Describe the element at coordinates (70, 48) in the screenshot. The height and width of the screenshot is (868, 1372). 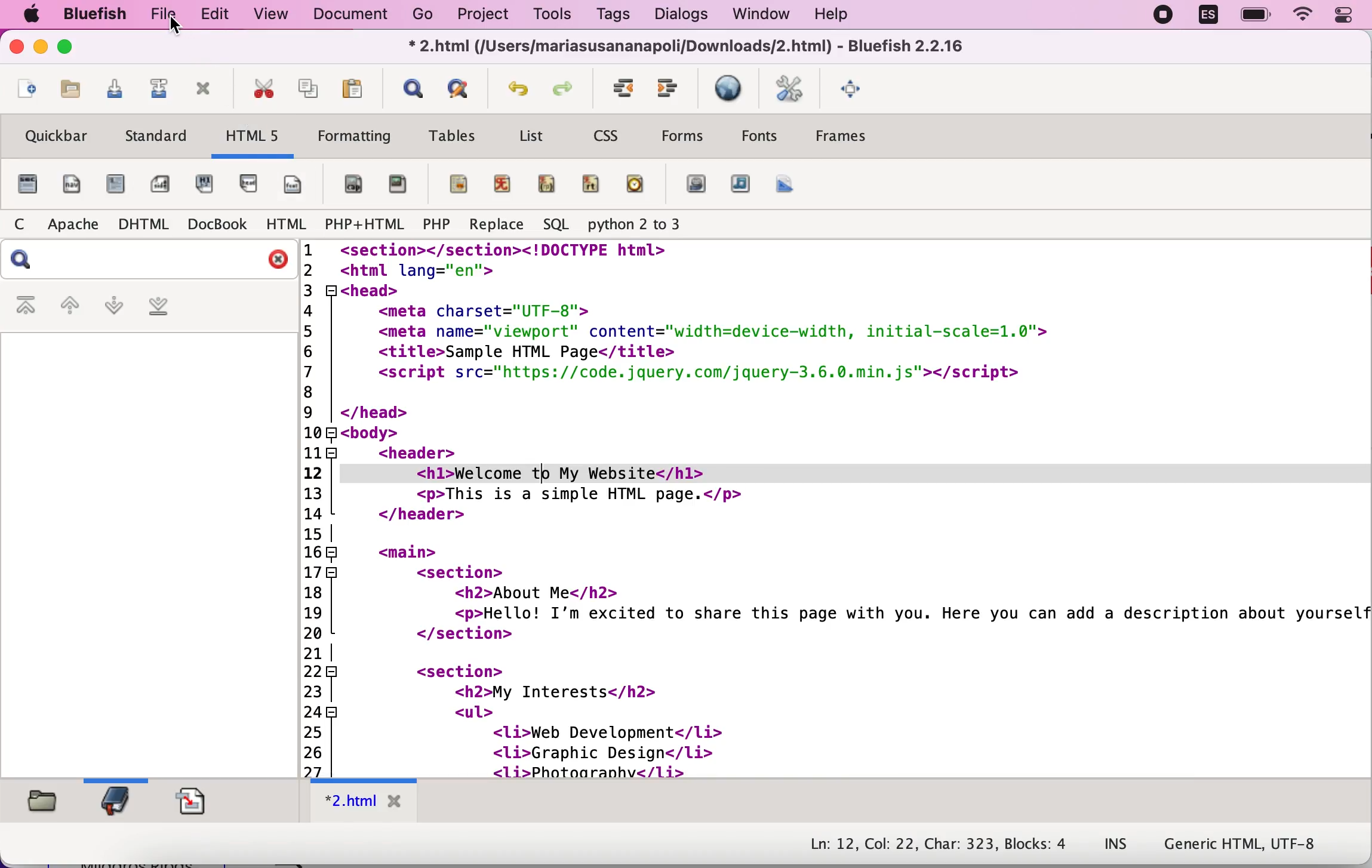
I see `maximize` at that location.